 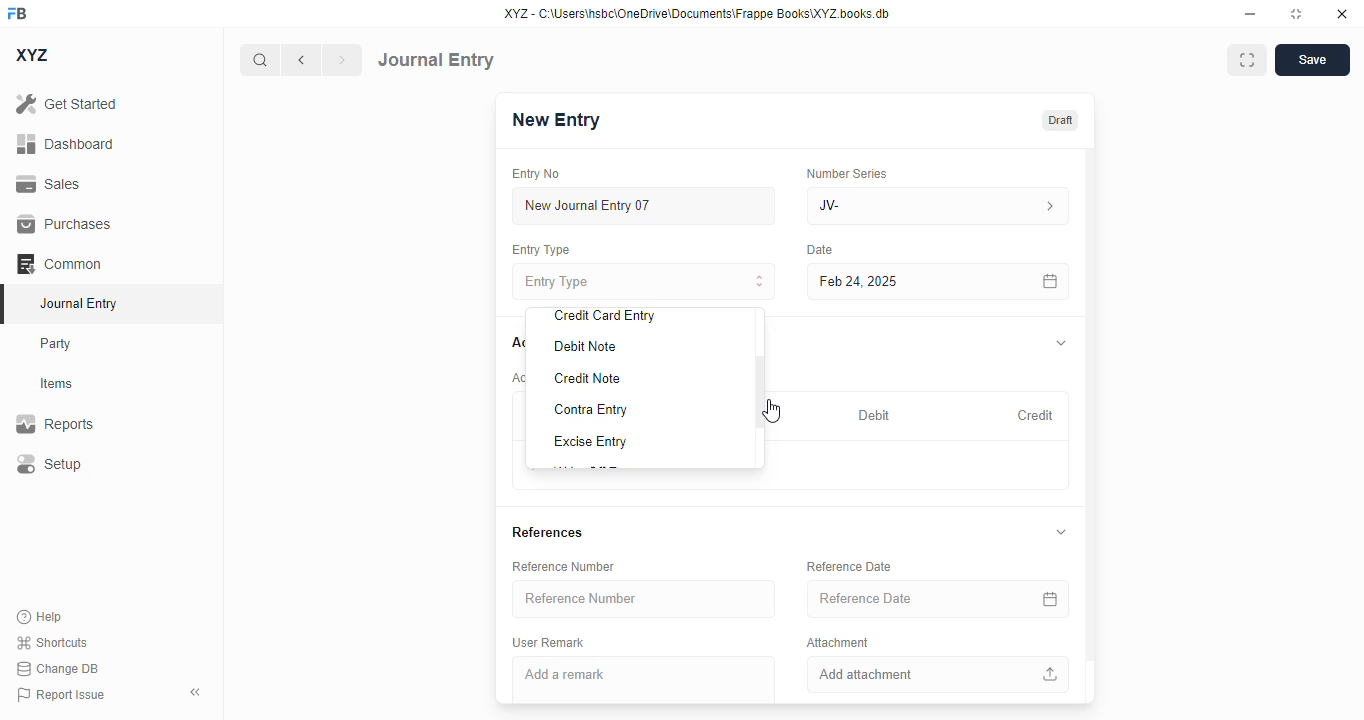 I want to click on add a remark, so click(x=643, y=679).